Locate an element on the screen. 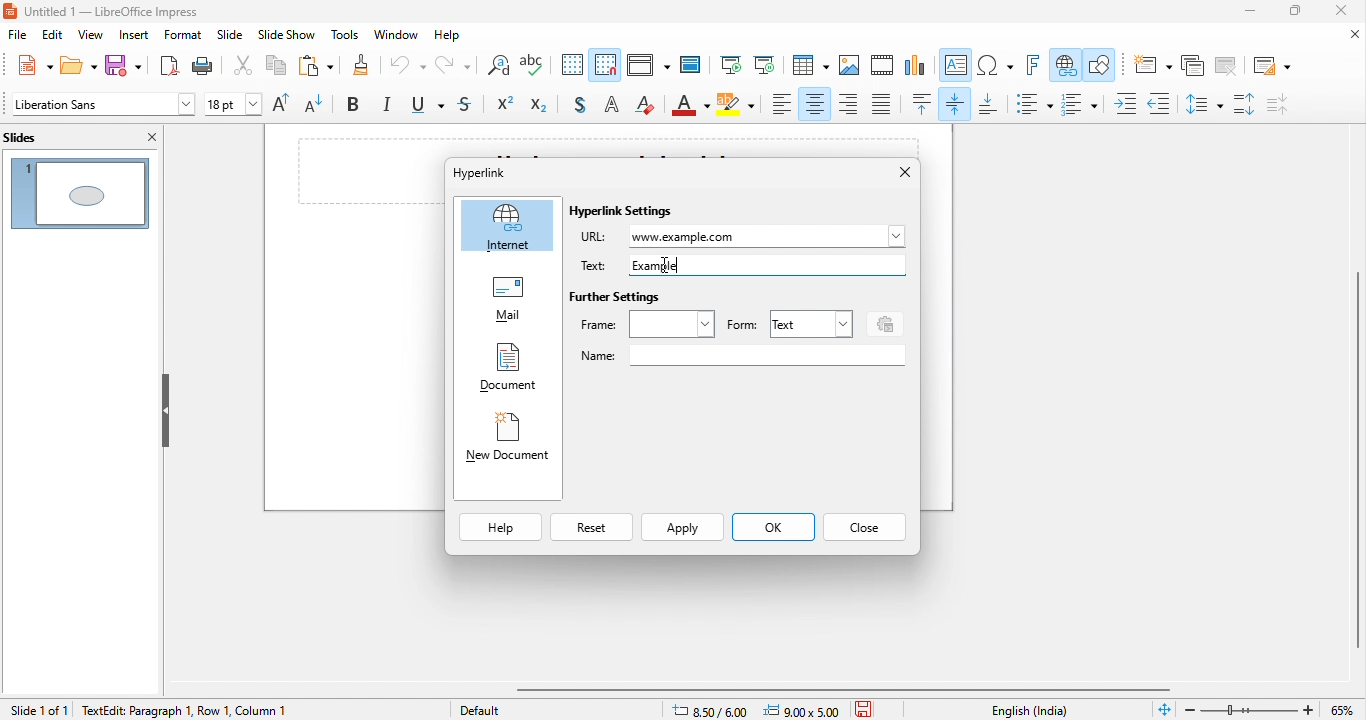 This screenshot has height=720, width=1366. window is located at coordinates (399, 35).